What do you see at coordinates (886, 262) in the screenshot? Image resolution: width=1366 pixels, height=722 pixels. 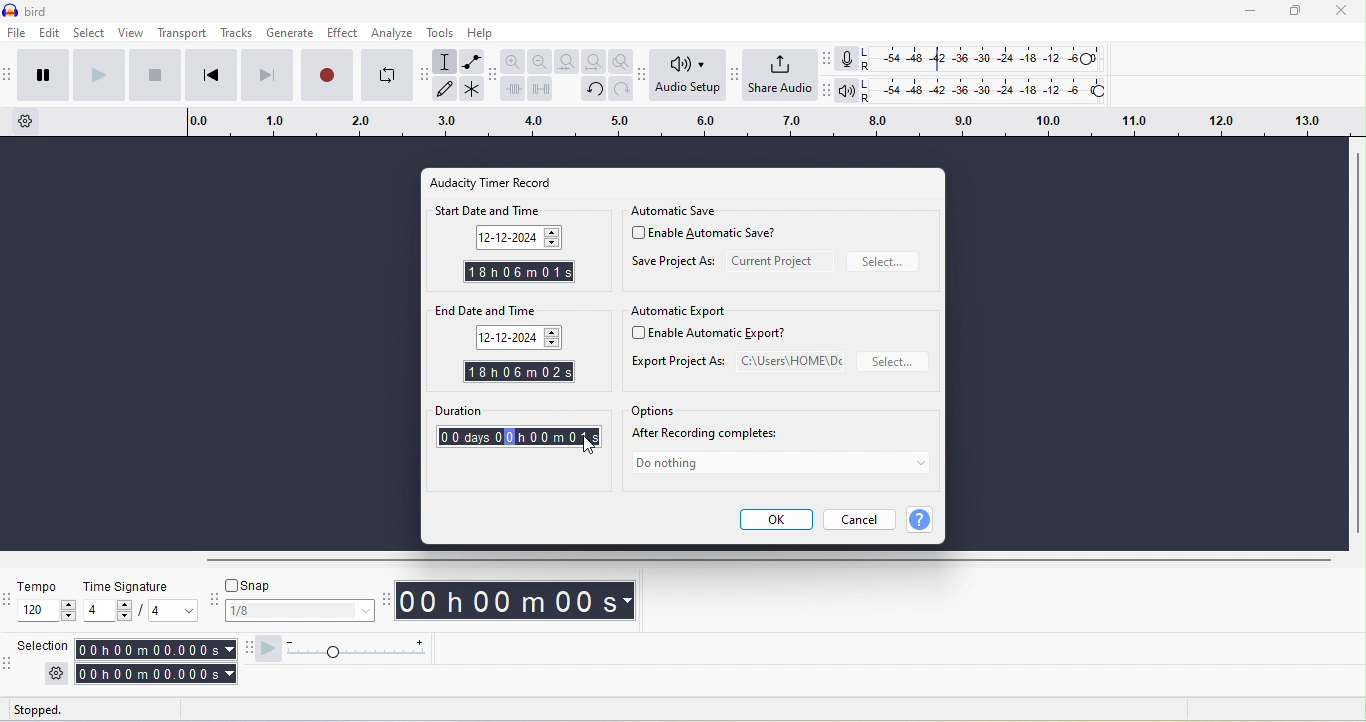 I see `select` at bounding box center [886, 262].